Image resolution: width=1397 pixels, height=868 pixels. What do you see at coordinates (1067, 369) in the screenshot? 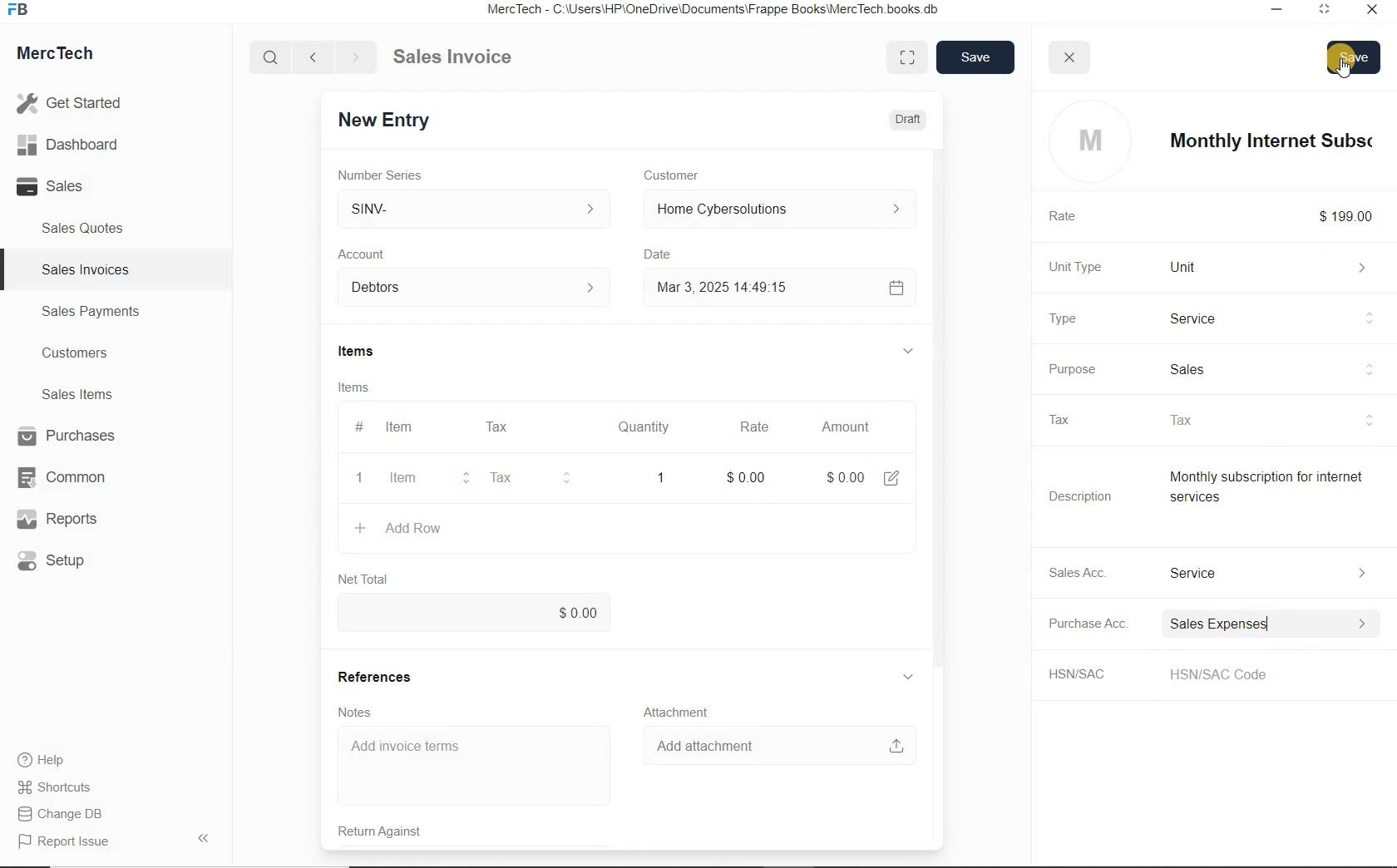
I see `Purpose` at bounding box center [1067, 369].